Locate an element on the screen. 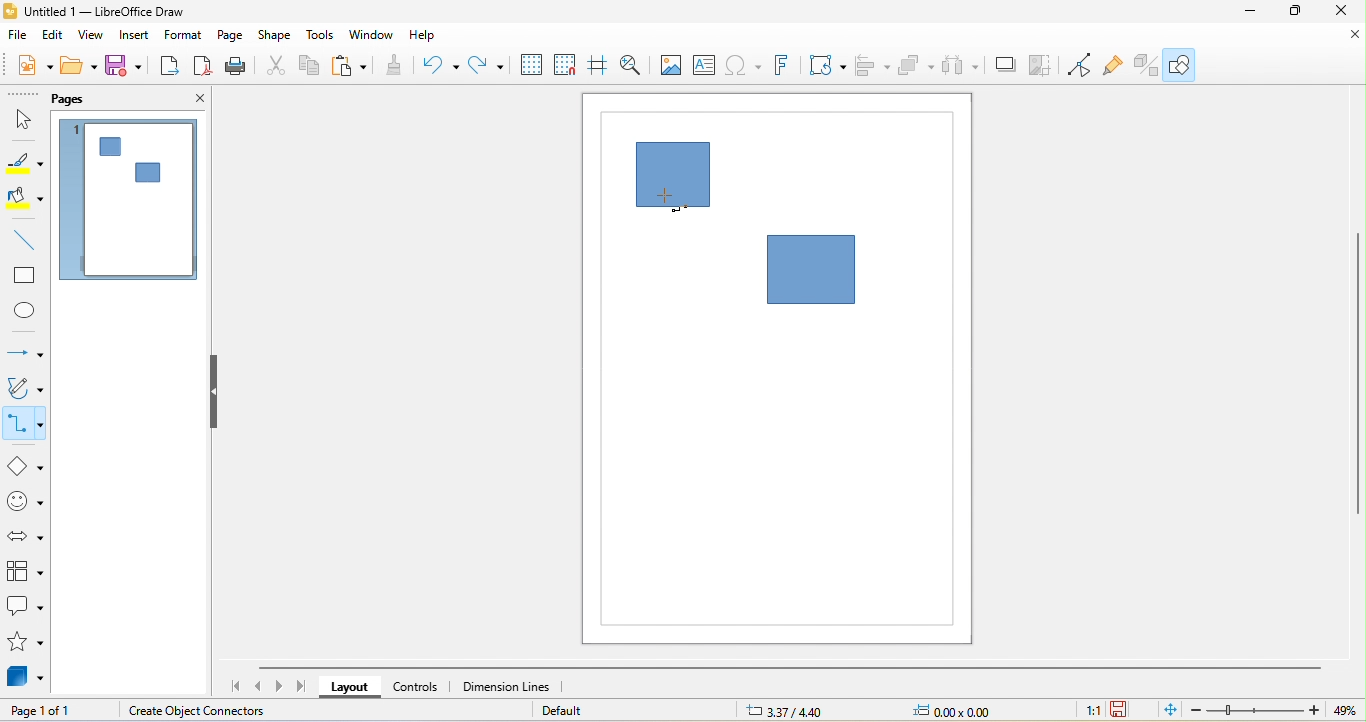 This screenshot has height=722, width=1366. stars and banners is located at coordinates (27, 642).